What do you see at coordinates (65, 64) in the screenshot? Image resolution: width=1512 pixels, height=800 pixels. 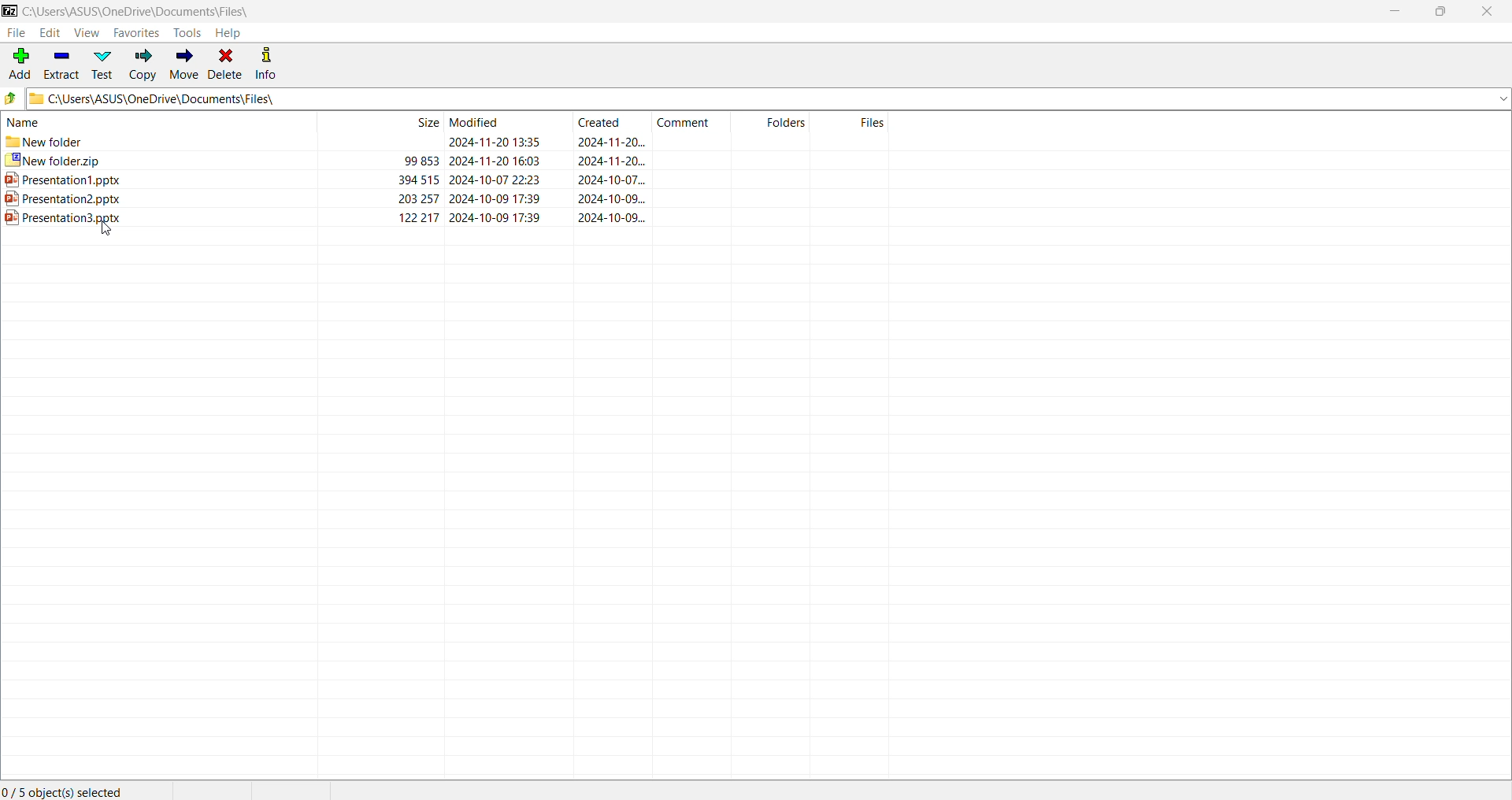 I see `Extract` at bounding box center [65, 64].